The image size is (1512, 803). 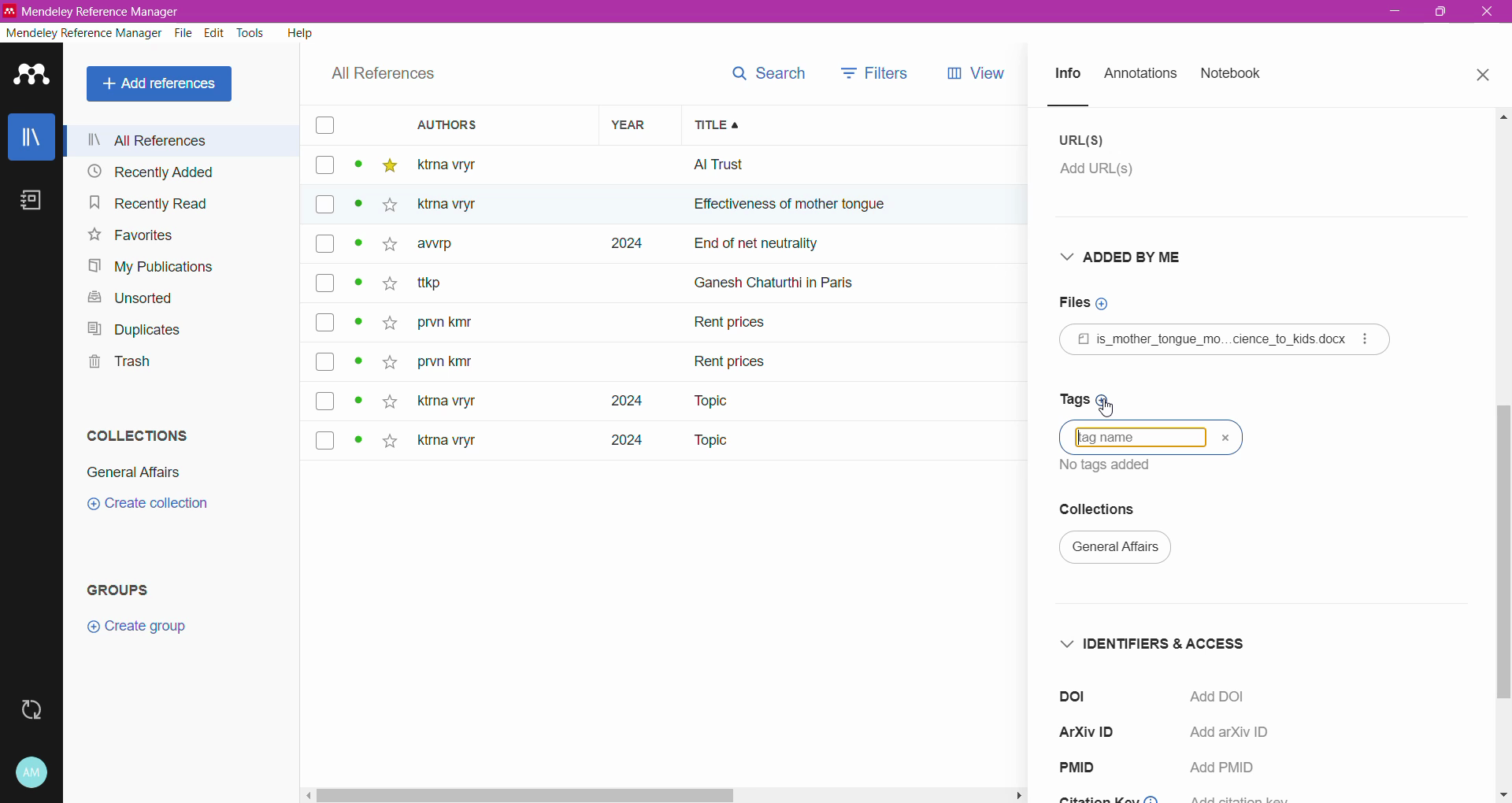 I want to click on doi, so click(x=1077, y=688).